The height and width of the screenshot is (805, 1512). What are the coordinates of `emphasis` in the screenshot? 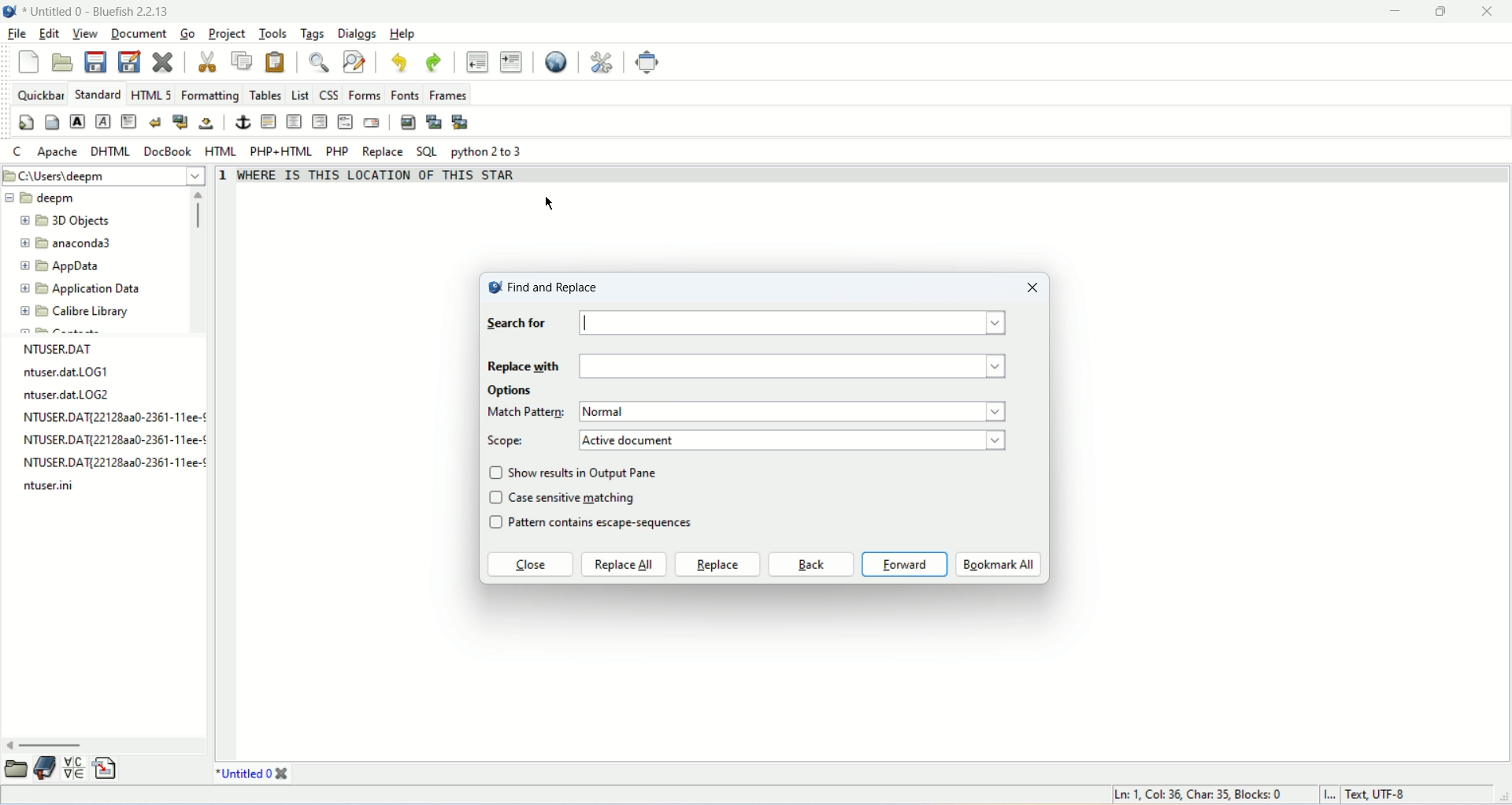 It's located at (102, 121).